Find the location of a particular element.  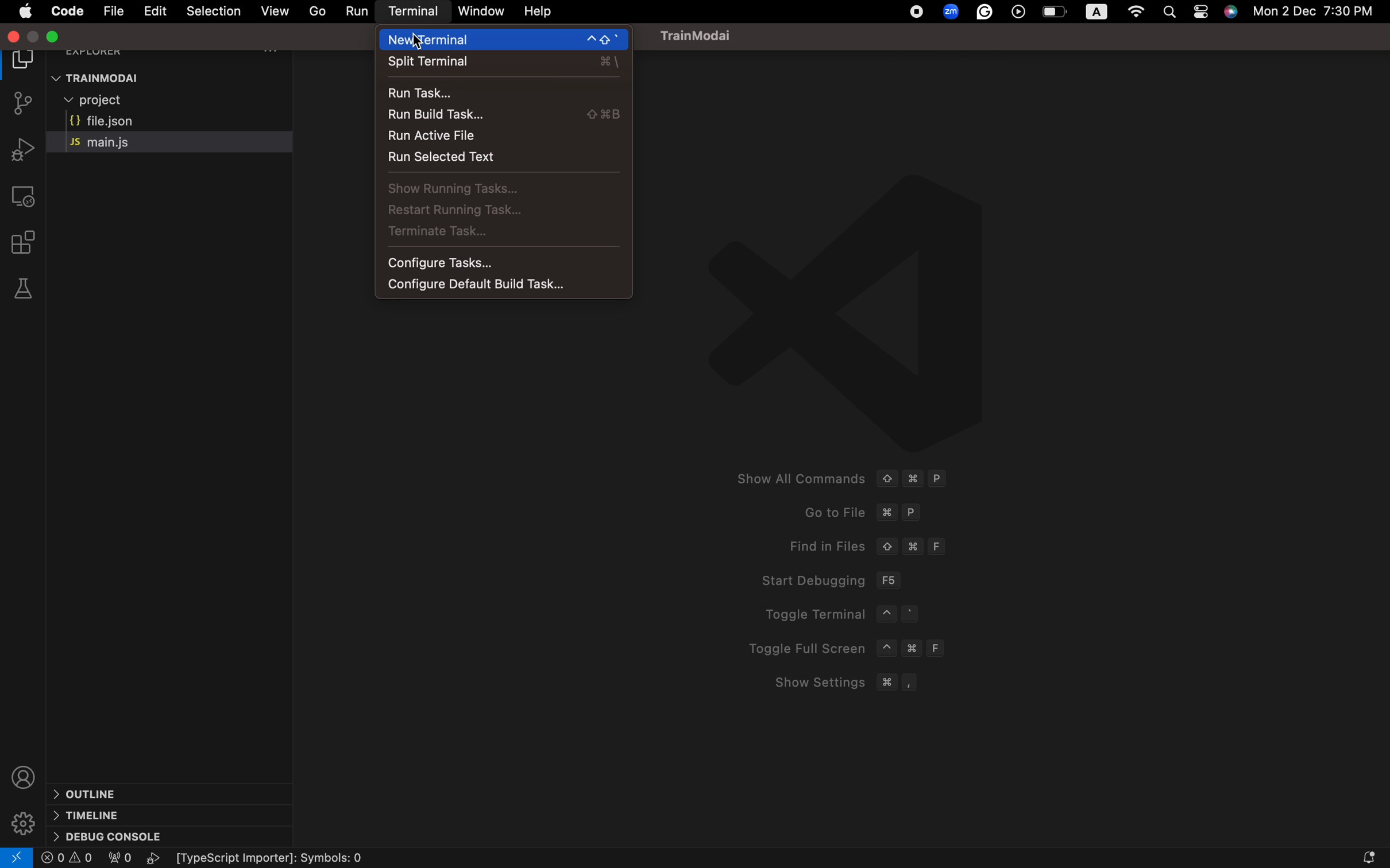

run task is located at coordinates (503, 93).